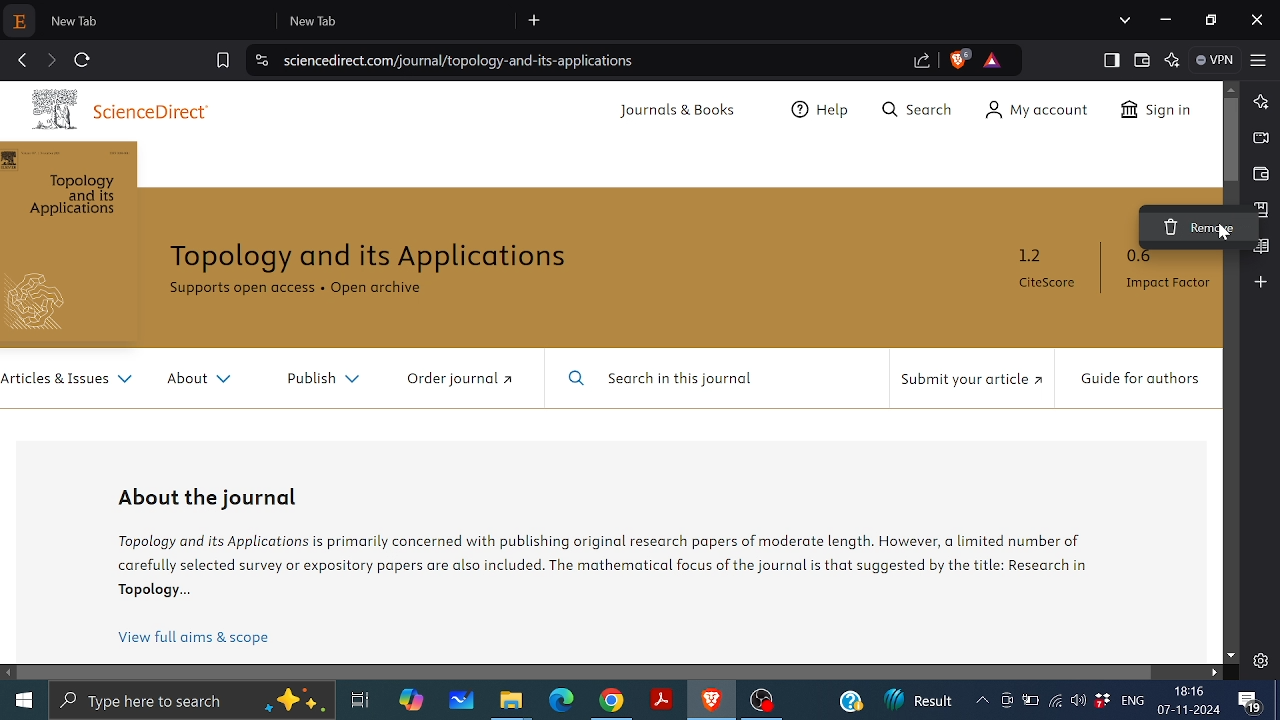  Describe the element at coordinates (462, 701) in the screenshot. I see `whiteboard` at that location.